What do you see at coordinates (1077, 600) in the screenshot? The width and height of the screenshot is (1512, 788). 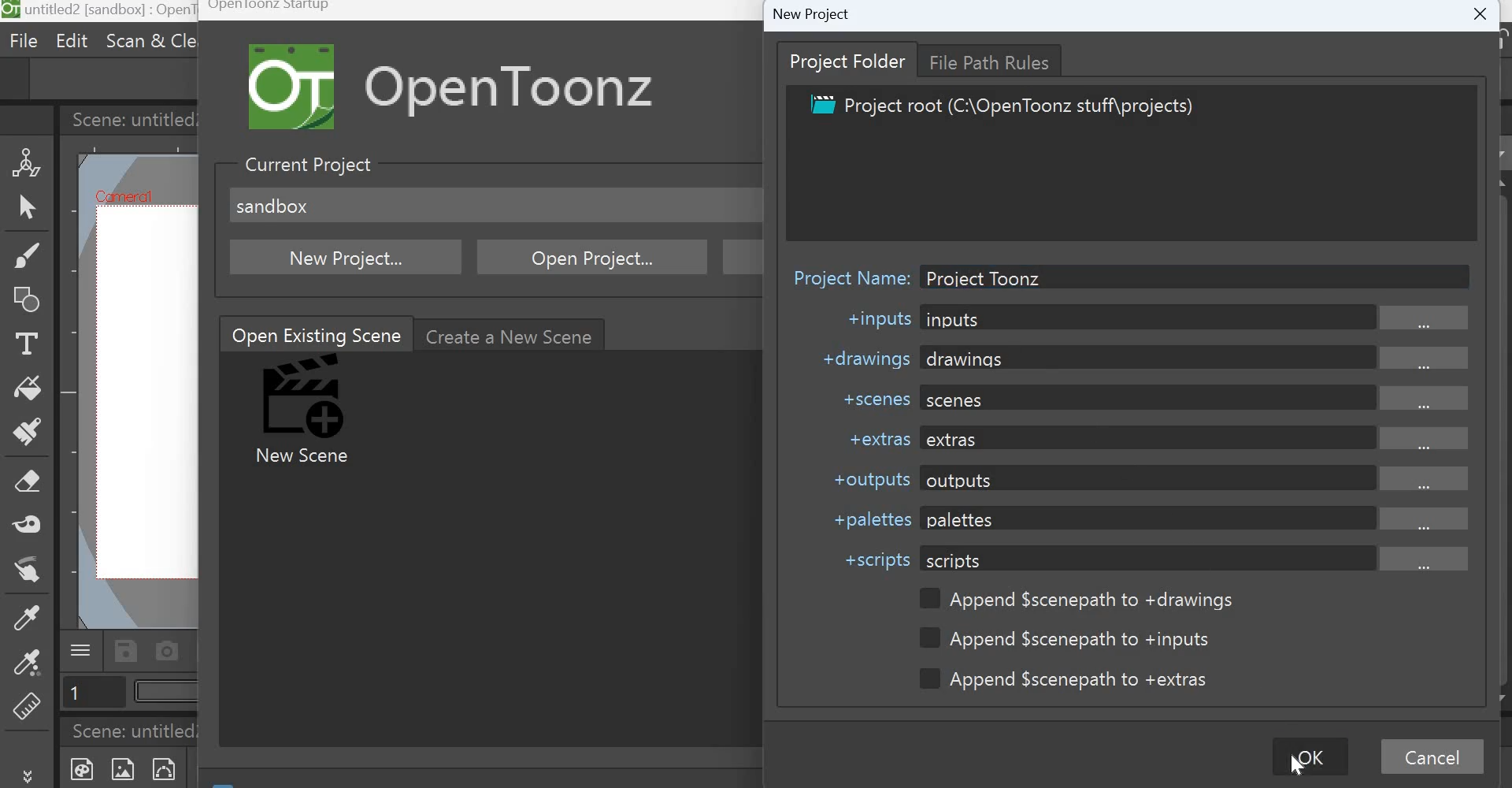 I see `Append $scenepath to +drawings` at bounding box center [1077, 600].